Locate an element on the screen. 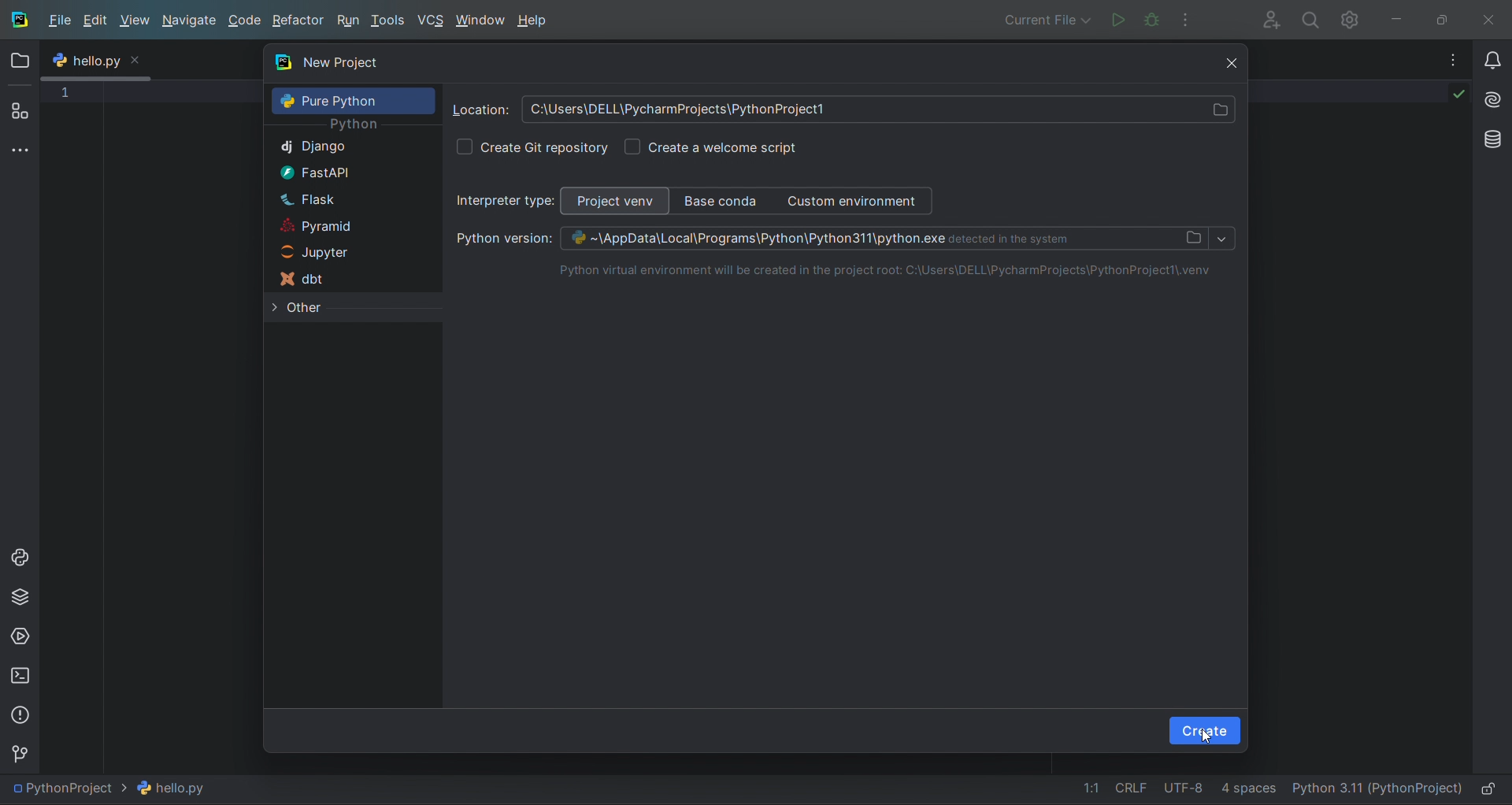 This screenshot has height=805, width=1512. intererpreter is located at coordinates (1376, 789).